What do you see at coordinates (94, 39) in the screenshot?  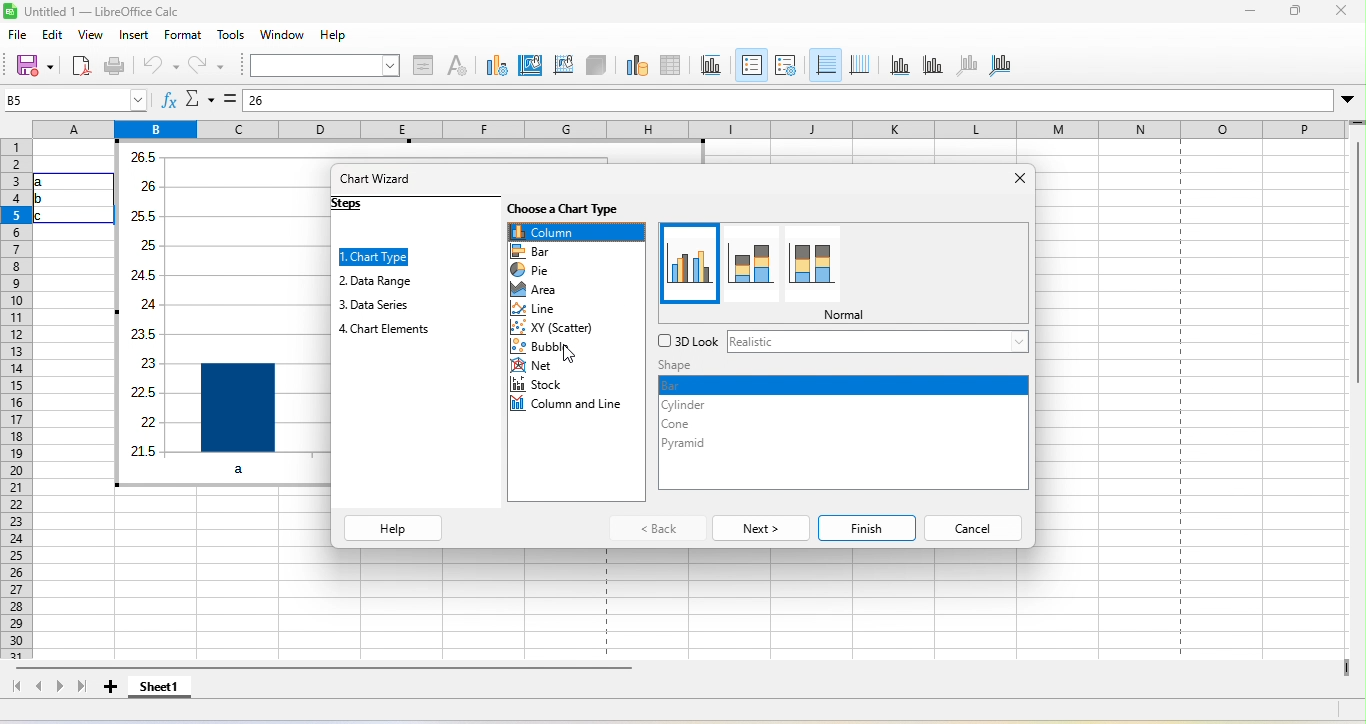 I see `view` at bounding box center [94, 39].